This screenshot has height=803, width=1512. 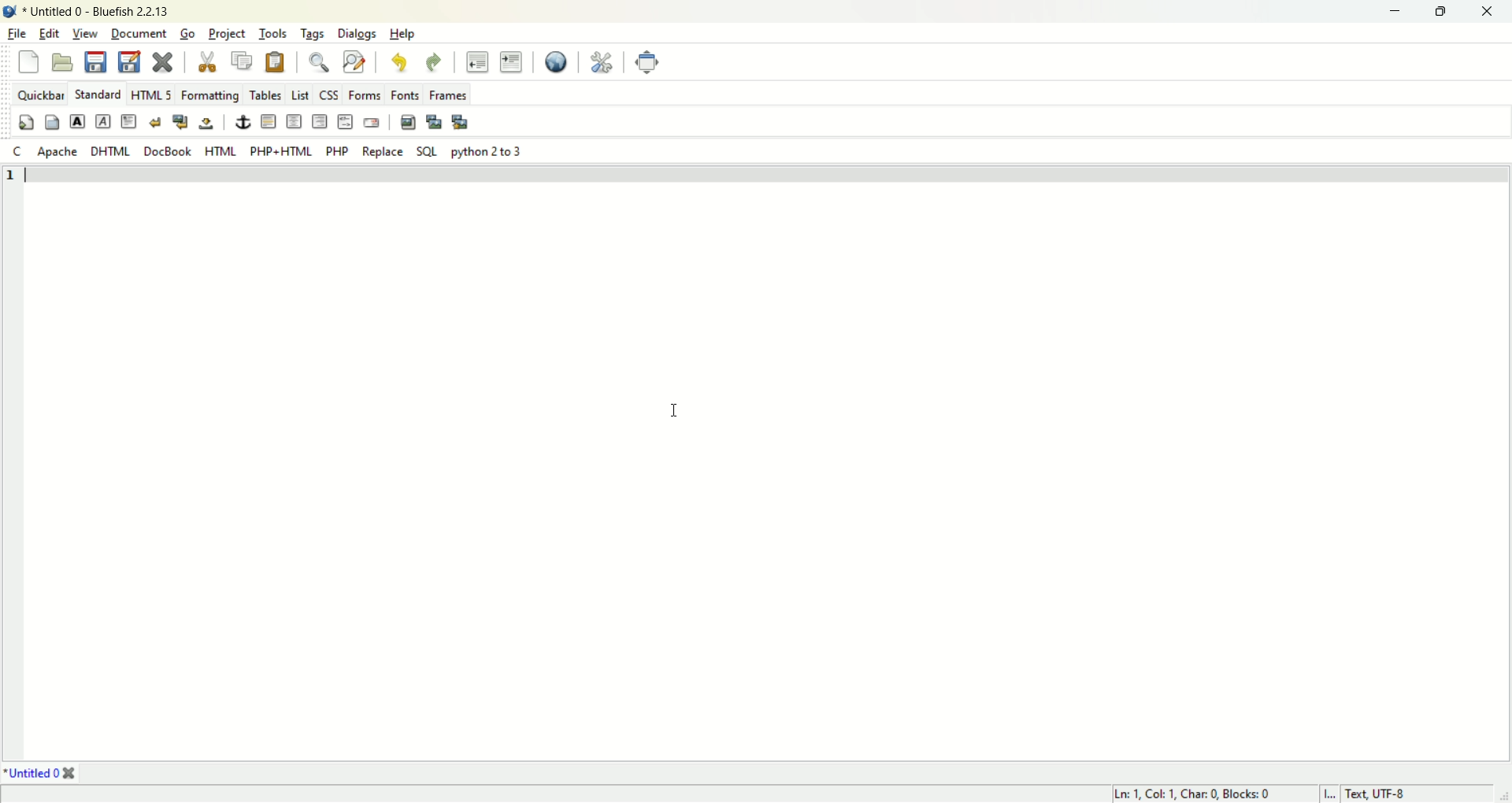 What do you see at coordinates (187, 33) in the screenshot?
I see `go` at bounding box center [187, 33].